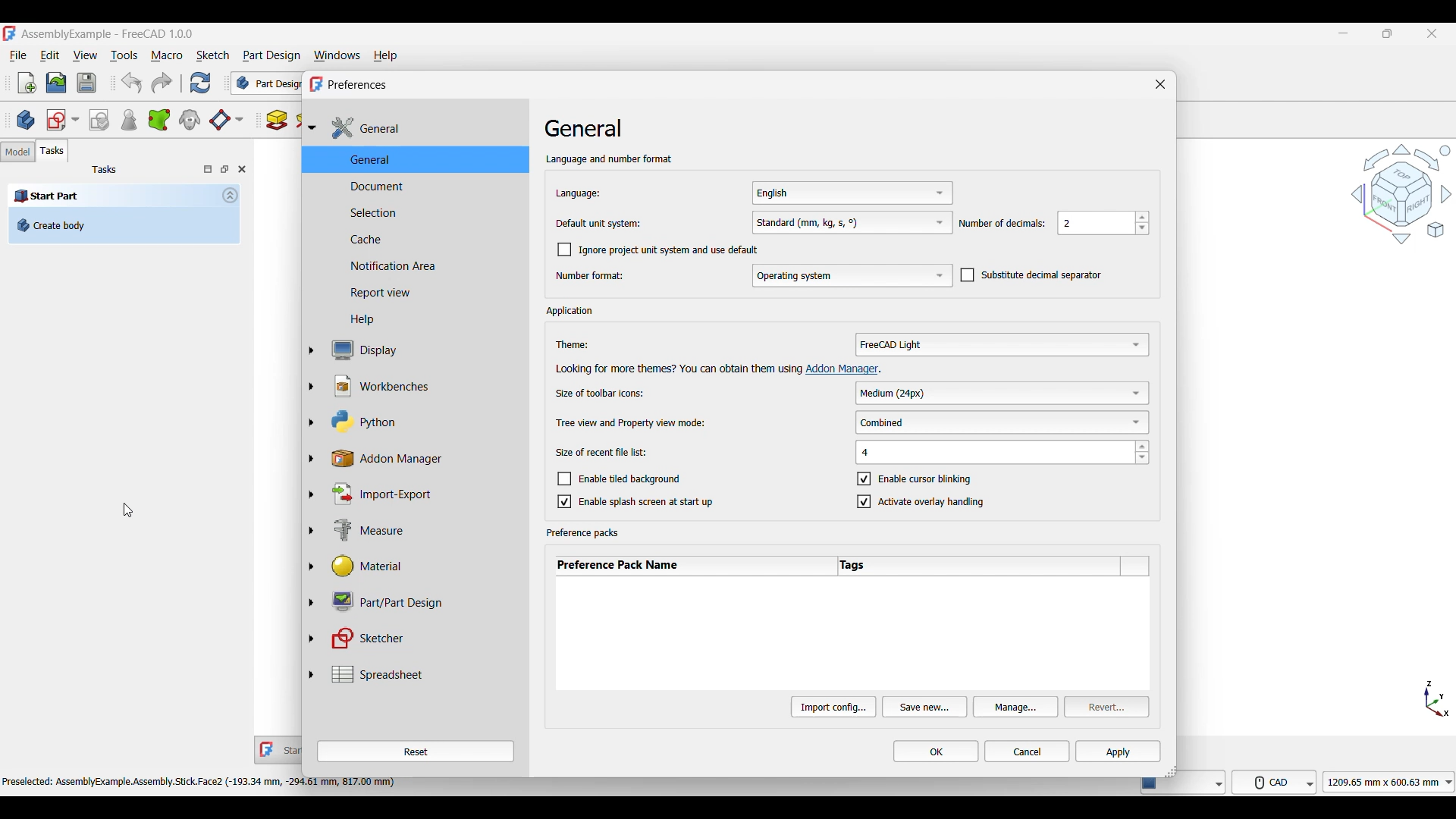 This screenshot has width=1456, height=819. Describe the element at coordinates (159, 119) in the screenshot. I see `Create sub-object shape binder` at that location.